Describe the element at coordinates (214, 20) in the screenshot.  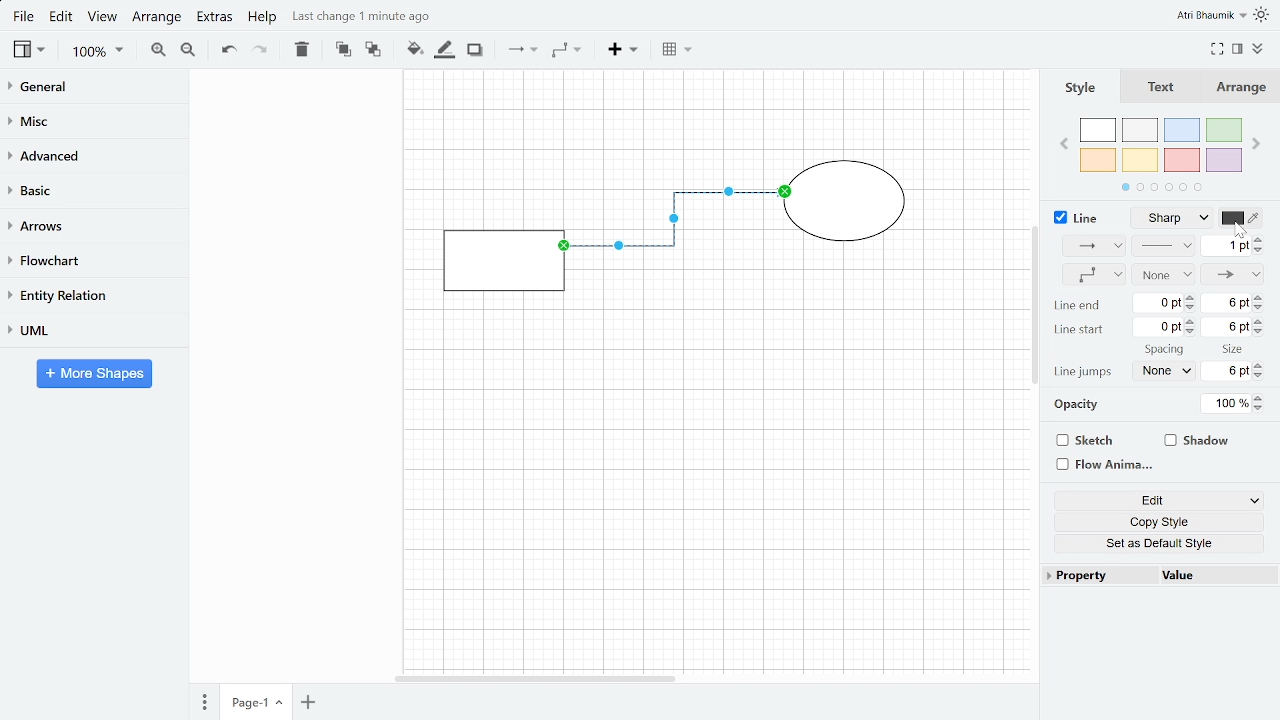
I see `Extras` at that location.